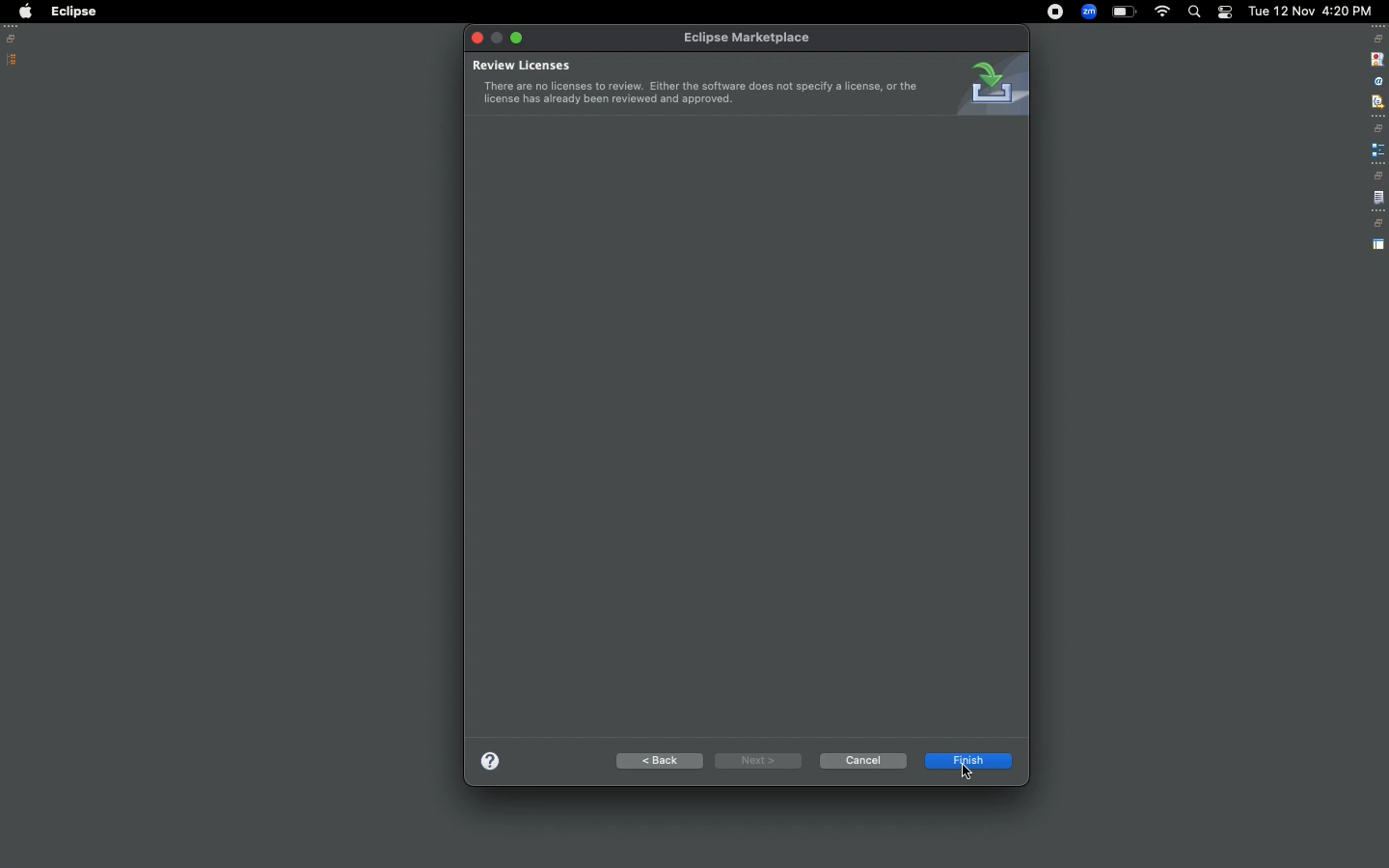  What do you see at coordinates (1162, 14) in the screenshot?
I see `Internet` at bounding box center [1162, 14].